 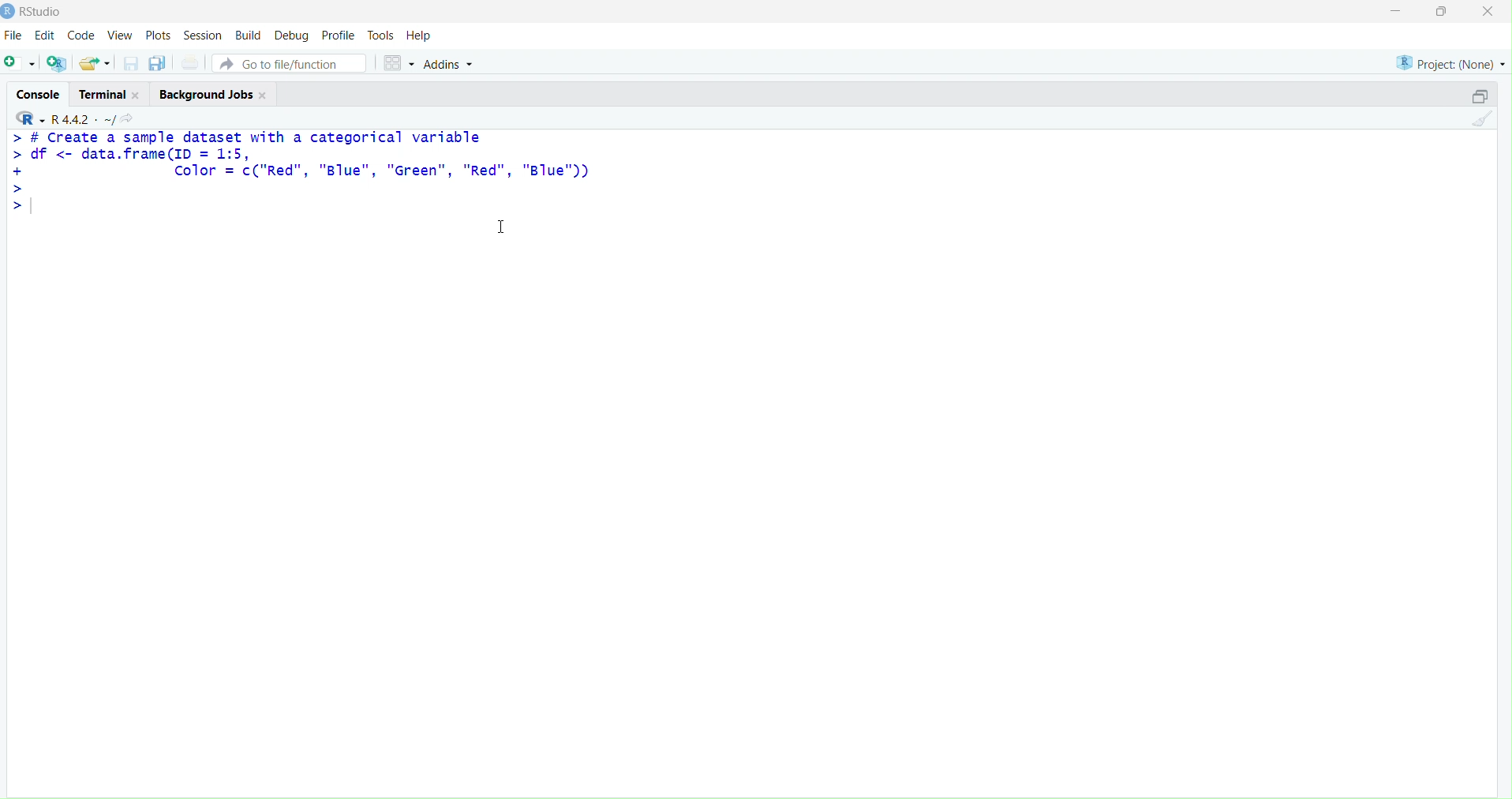 What do you see at coordinates (291, 37) in the screenshot?
I see `debug` at bounding box center [291, 37].